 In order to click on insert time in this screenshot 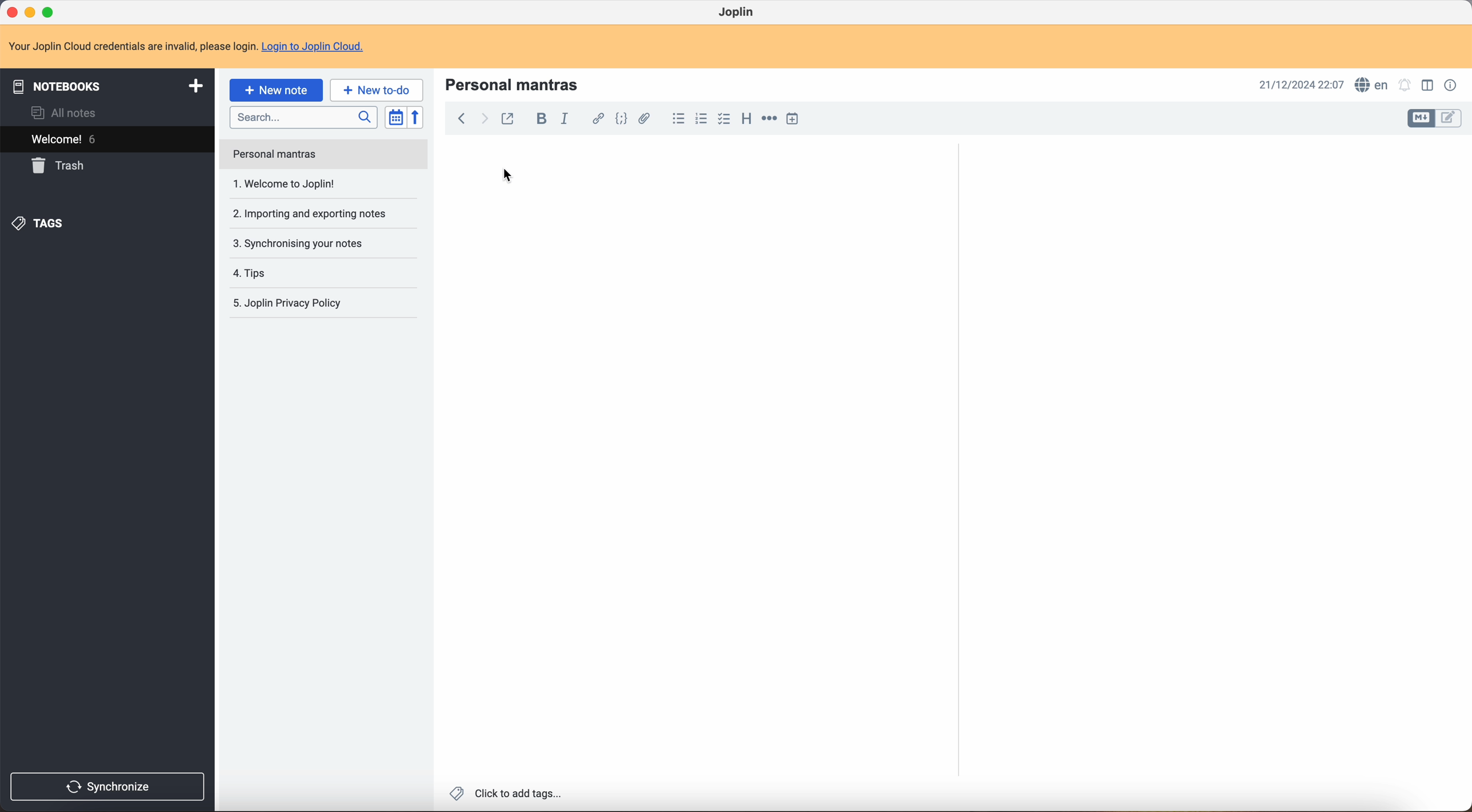, I will do `click(792, 118)`.